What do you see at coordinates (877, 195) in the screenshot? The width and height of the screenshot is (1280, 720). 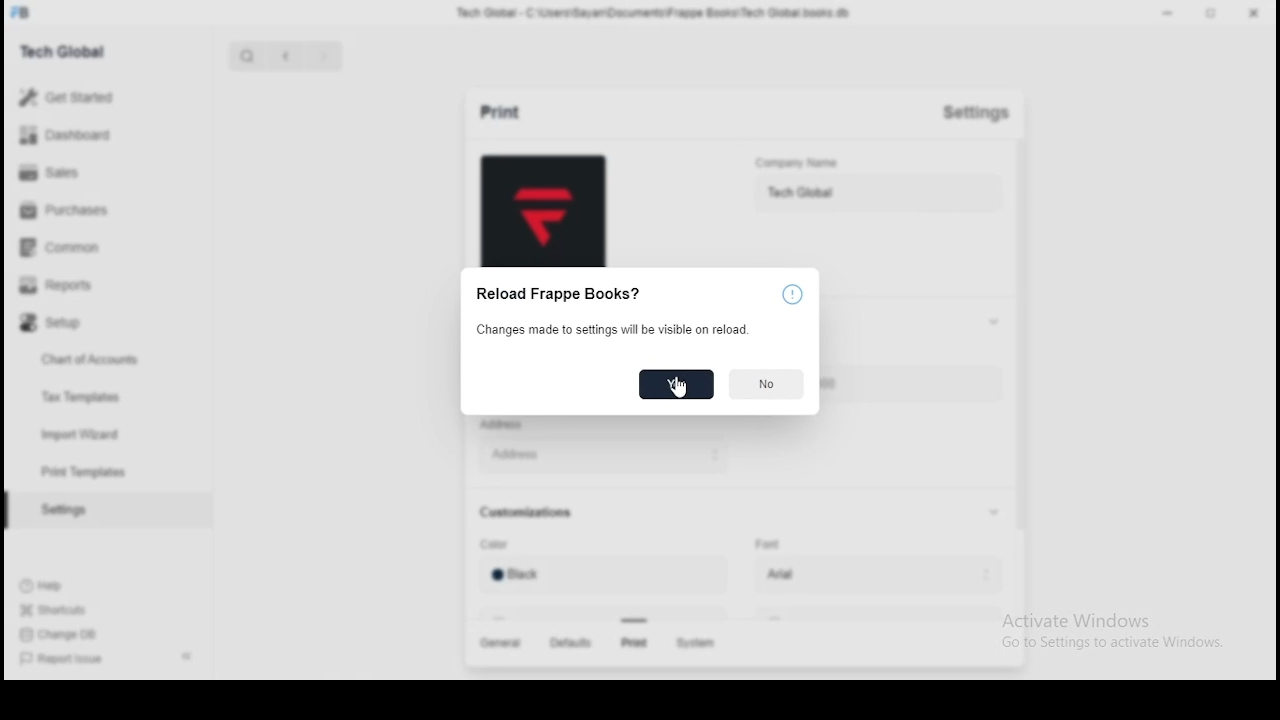 I see `COMPANY NAME INPUT BOX` at bounding box center [877, 195].